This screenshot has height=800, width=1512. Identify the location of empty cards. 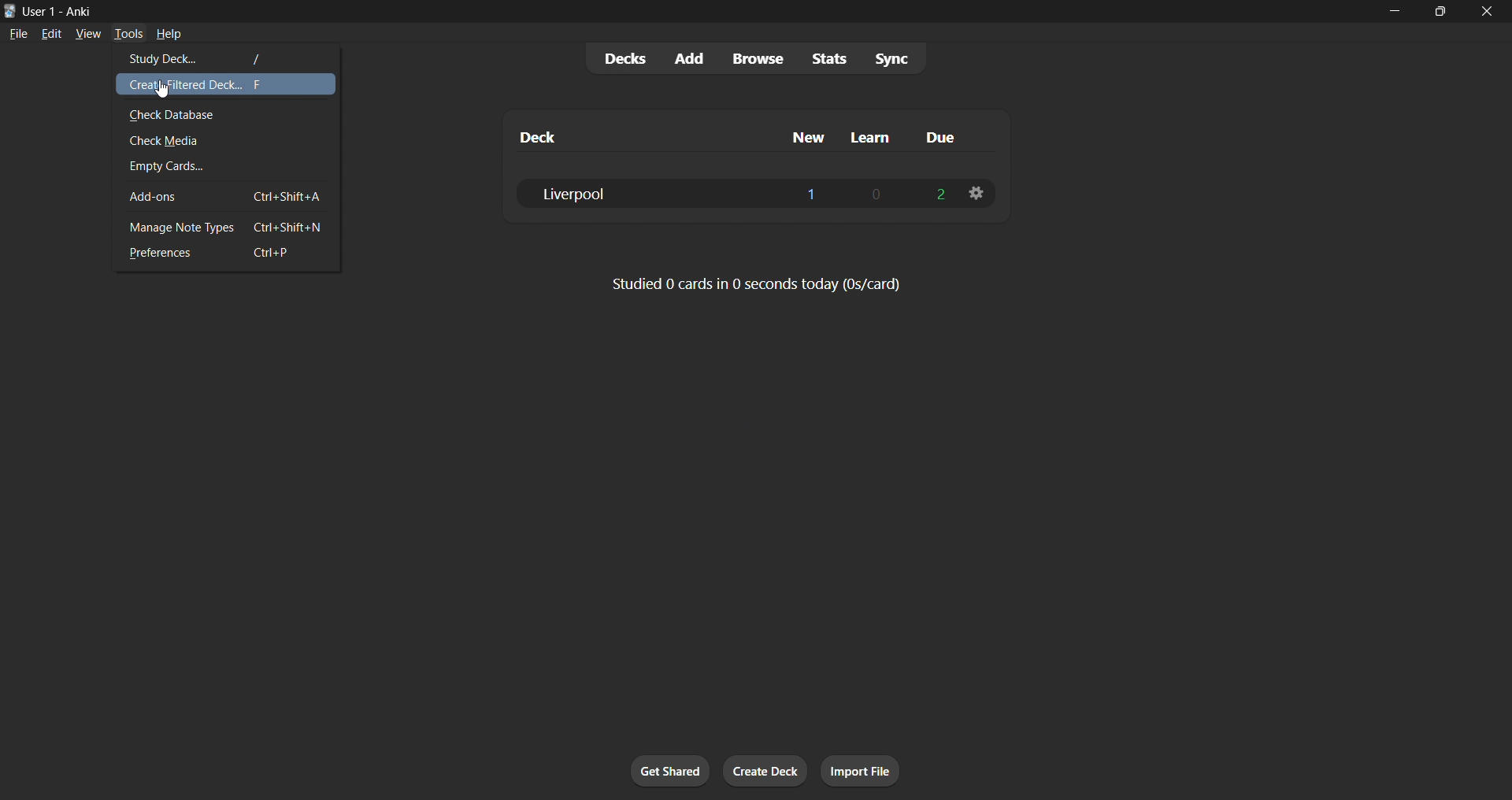
(227, 167).